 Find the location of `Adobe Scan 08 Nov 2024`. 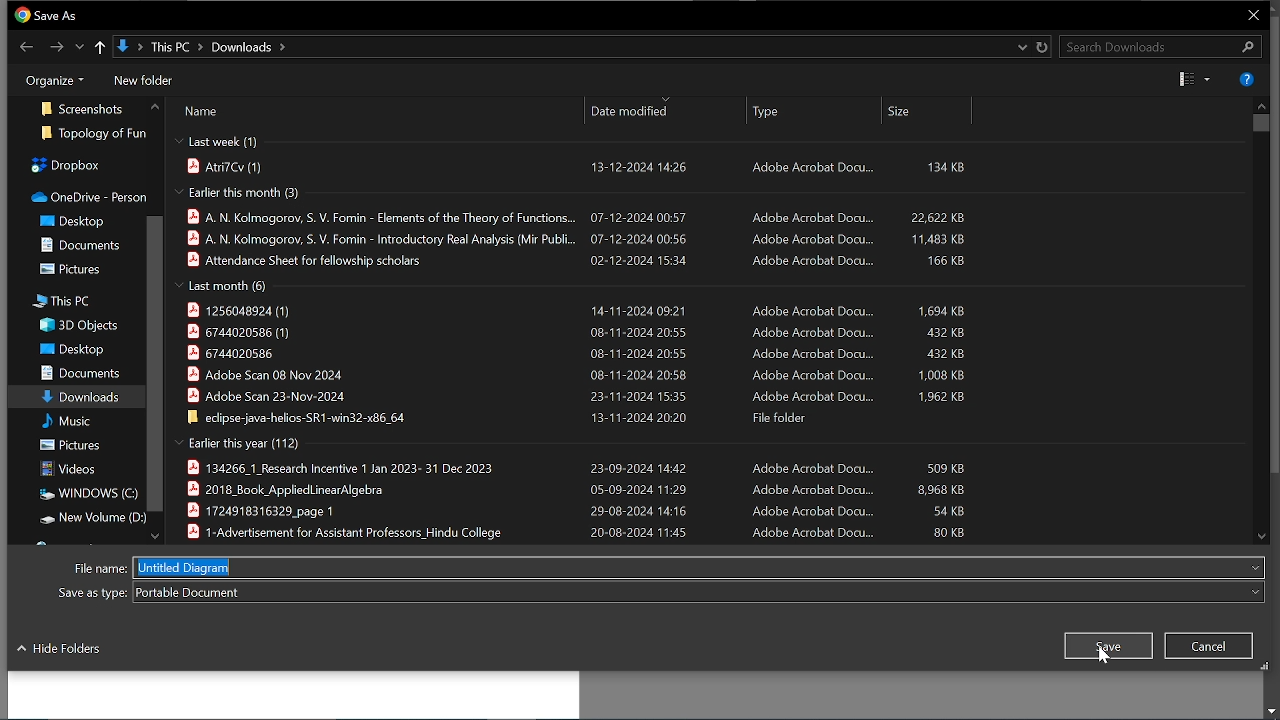

Adobe Scan 08 Nov 2024 is located at coordinates (268, 374).